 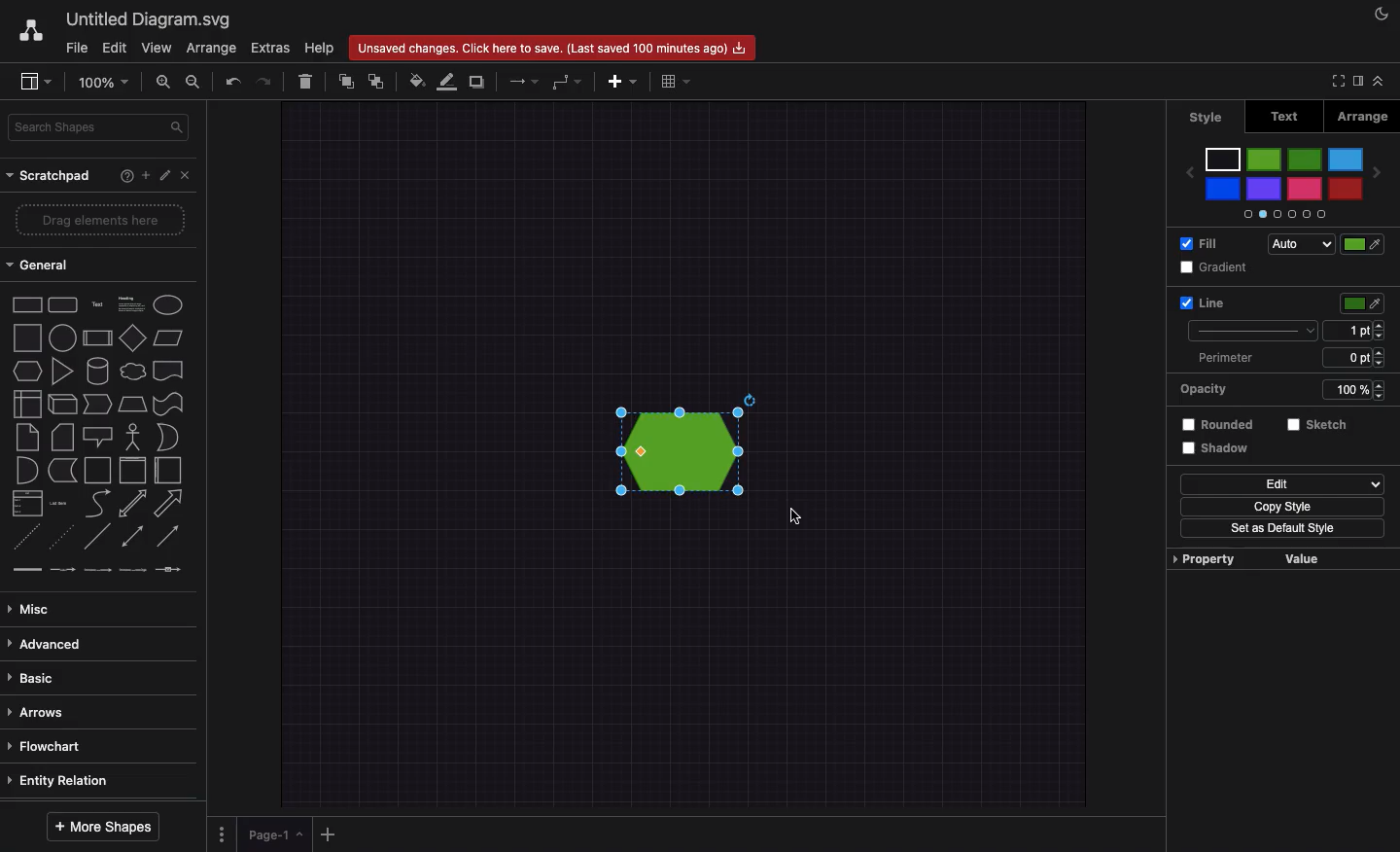 What do you see at coordinates (1210, 560) in the screenshot?
I see `Property` at bounding box center [1210, 560].